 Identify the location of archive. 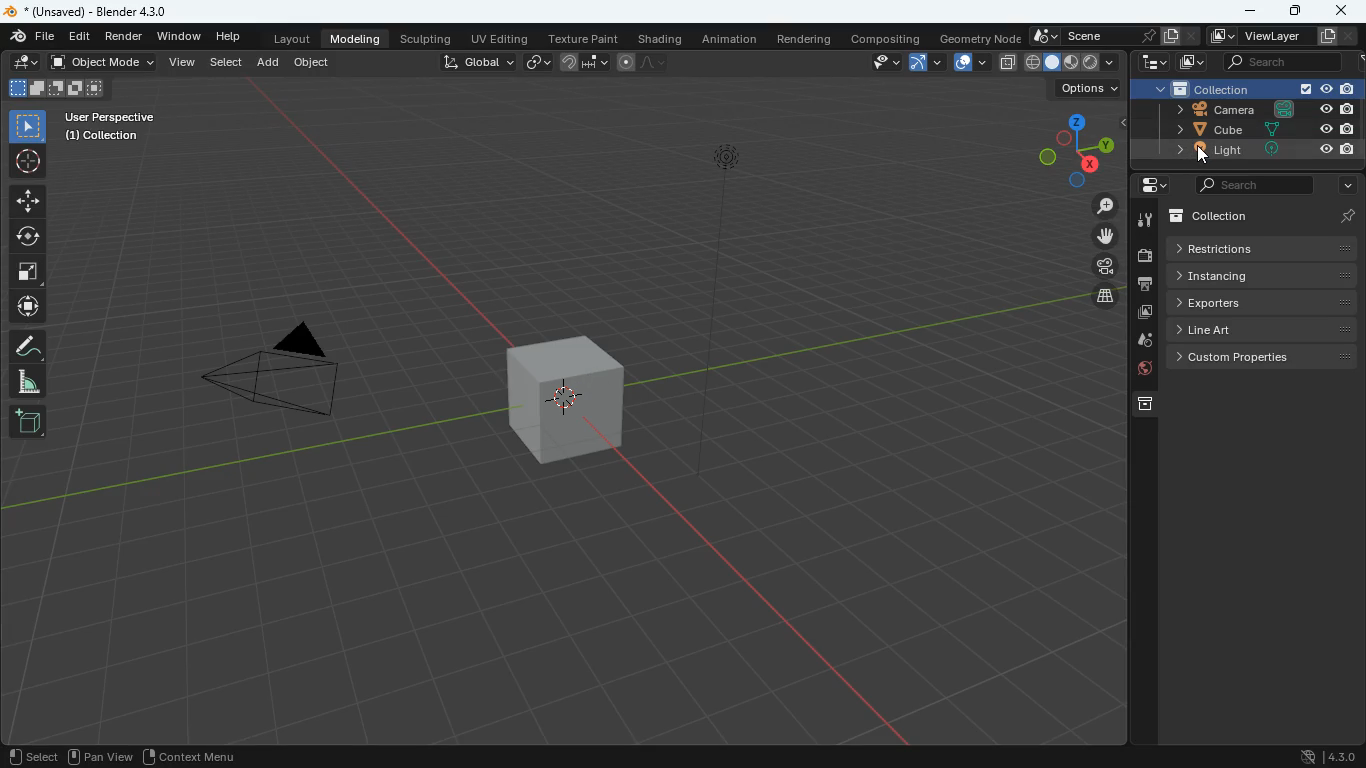
(1146, 404).